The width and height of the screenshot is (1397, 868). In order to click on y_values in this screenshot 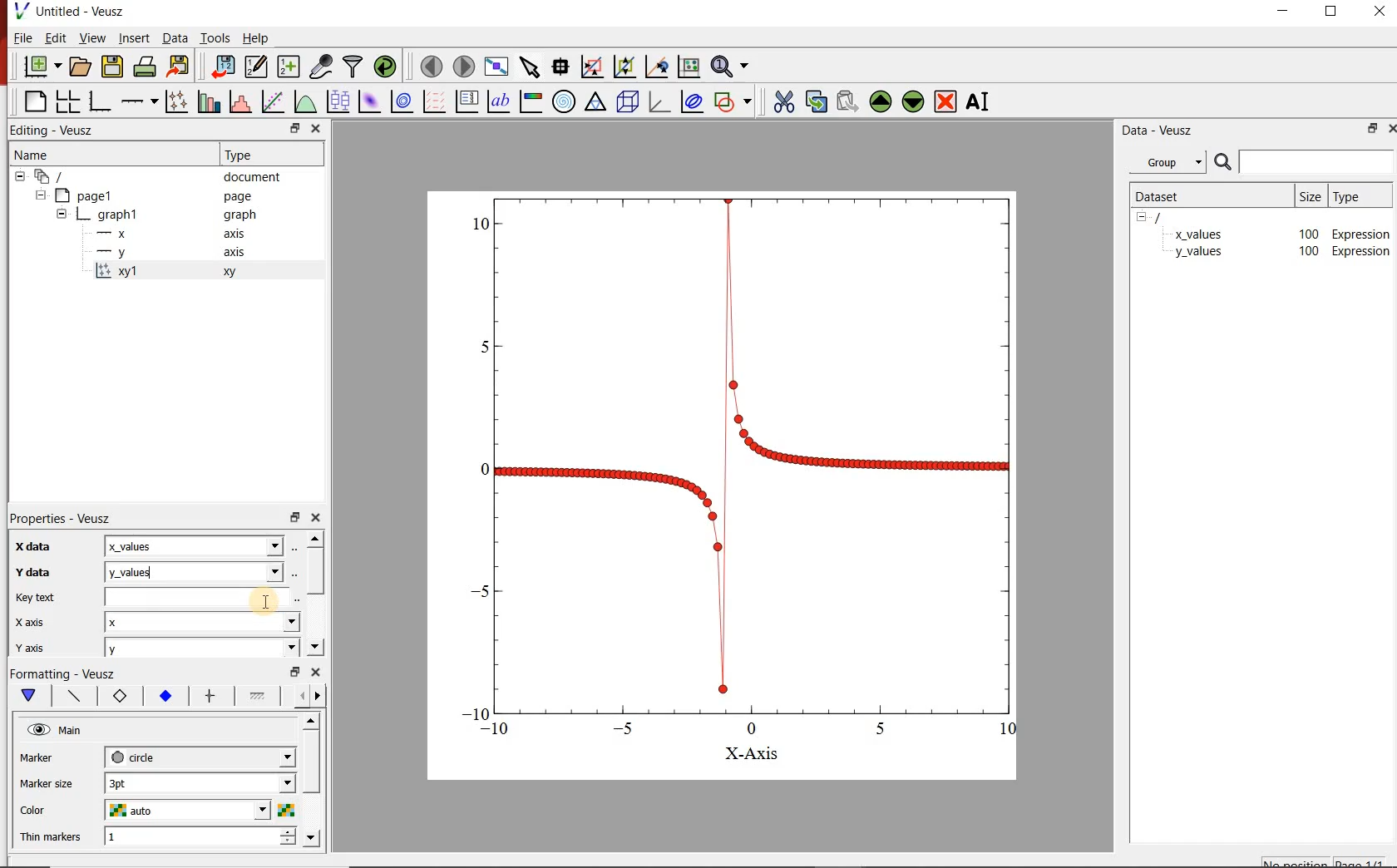, I will do `click(1198, 253)`.